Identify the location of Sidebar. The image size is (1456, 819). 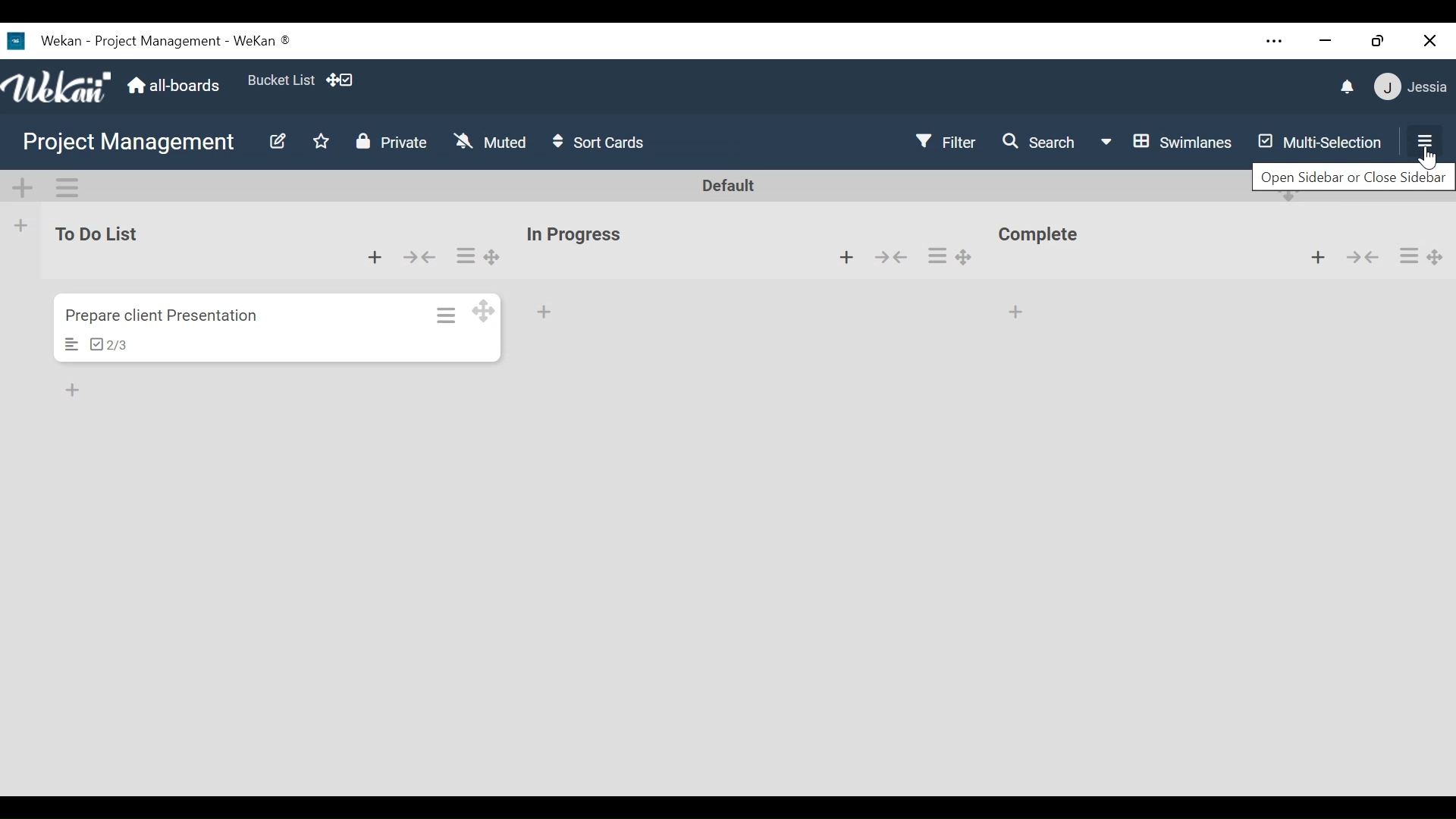
(1421, 140).